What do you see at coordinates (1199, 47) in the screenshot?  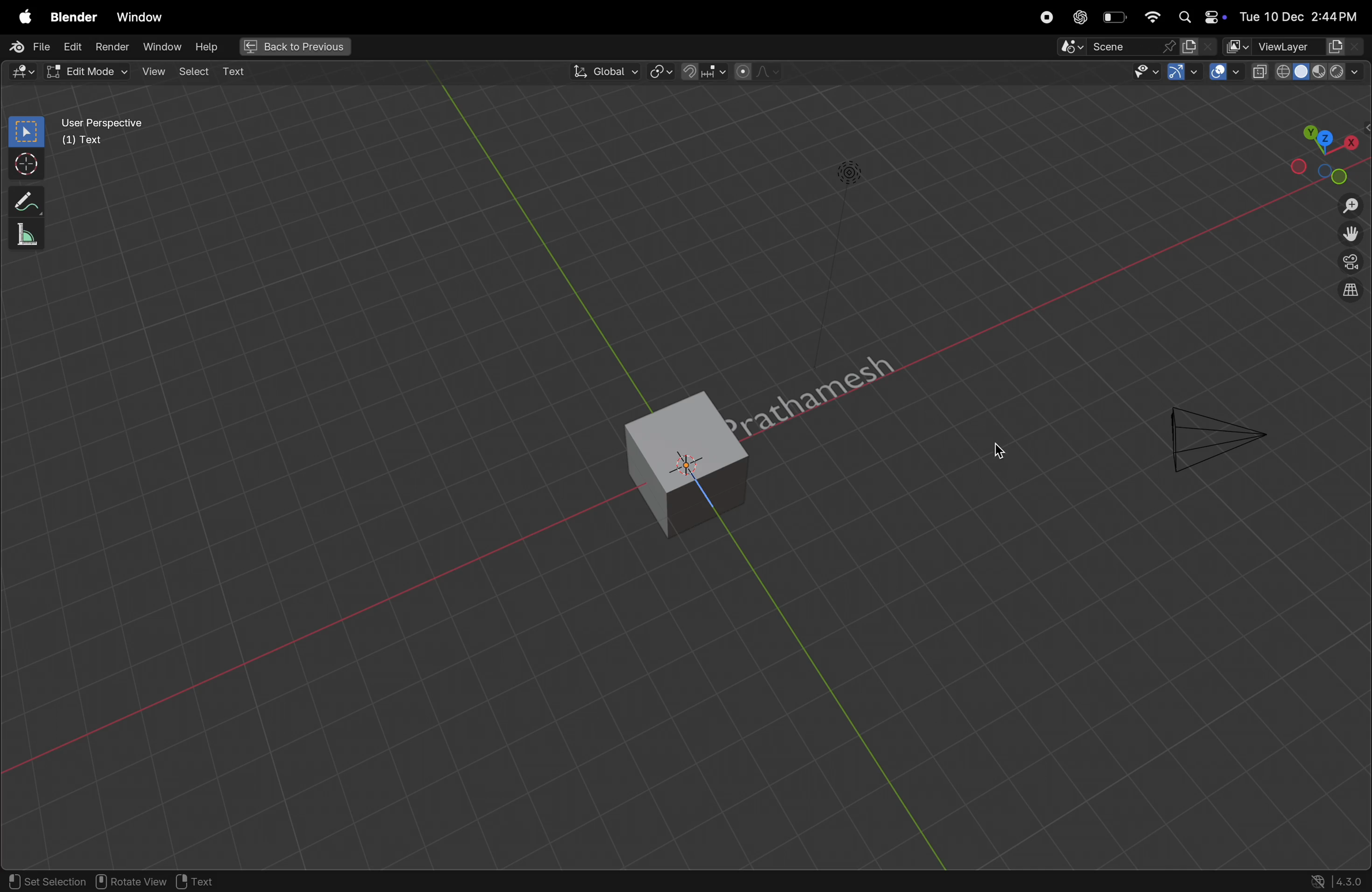 I see `display mode` at bounding box center [1199, 47].